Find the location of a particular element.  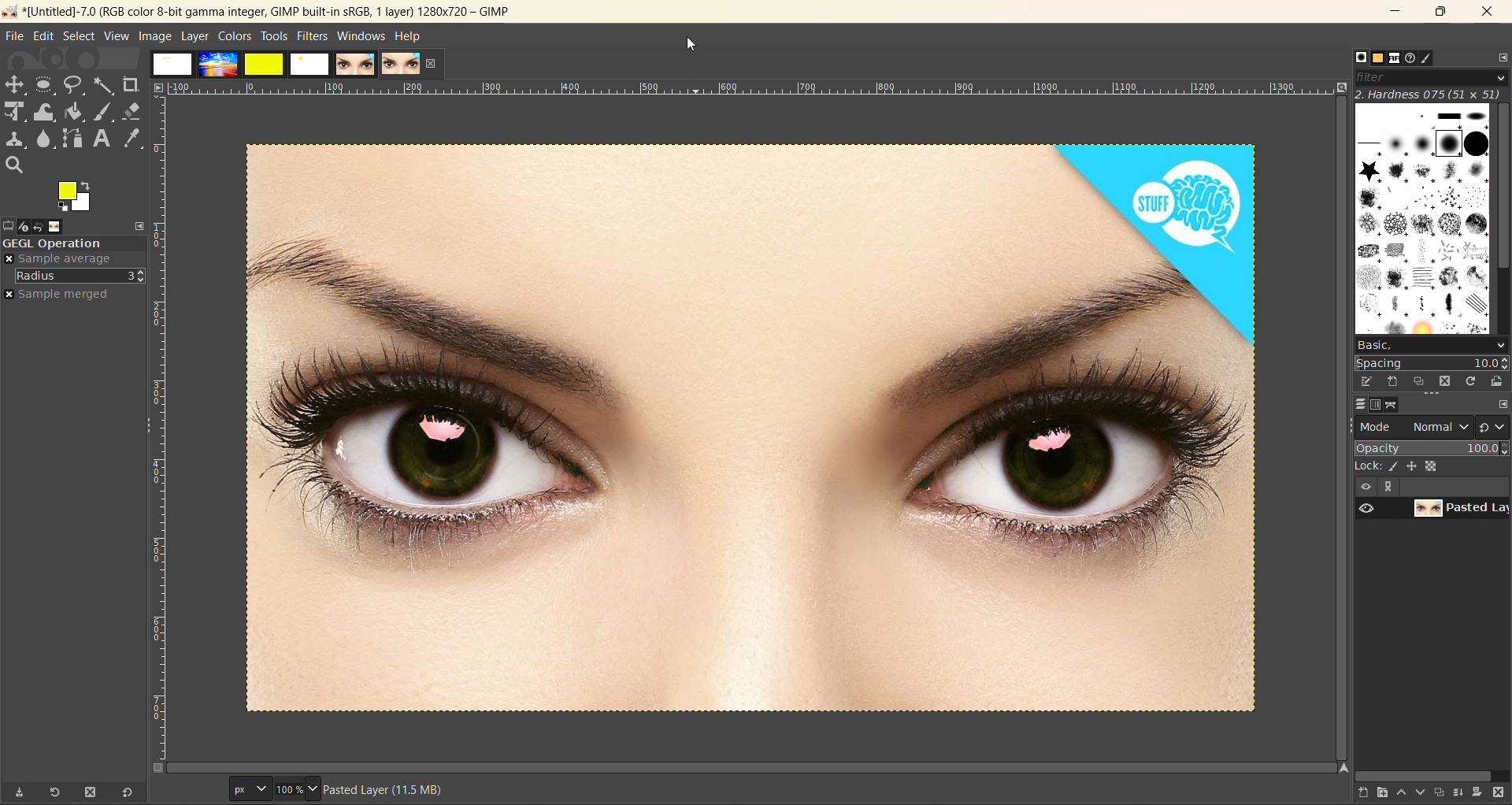

configure is located at coordinates (1502, 404).